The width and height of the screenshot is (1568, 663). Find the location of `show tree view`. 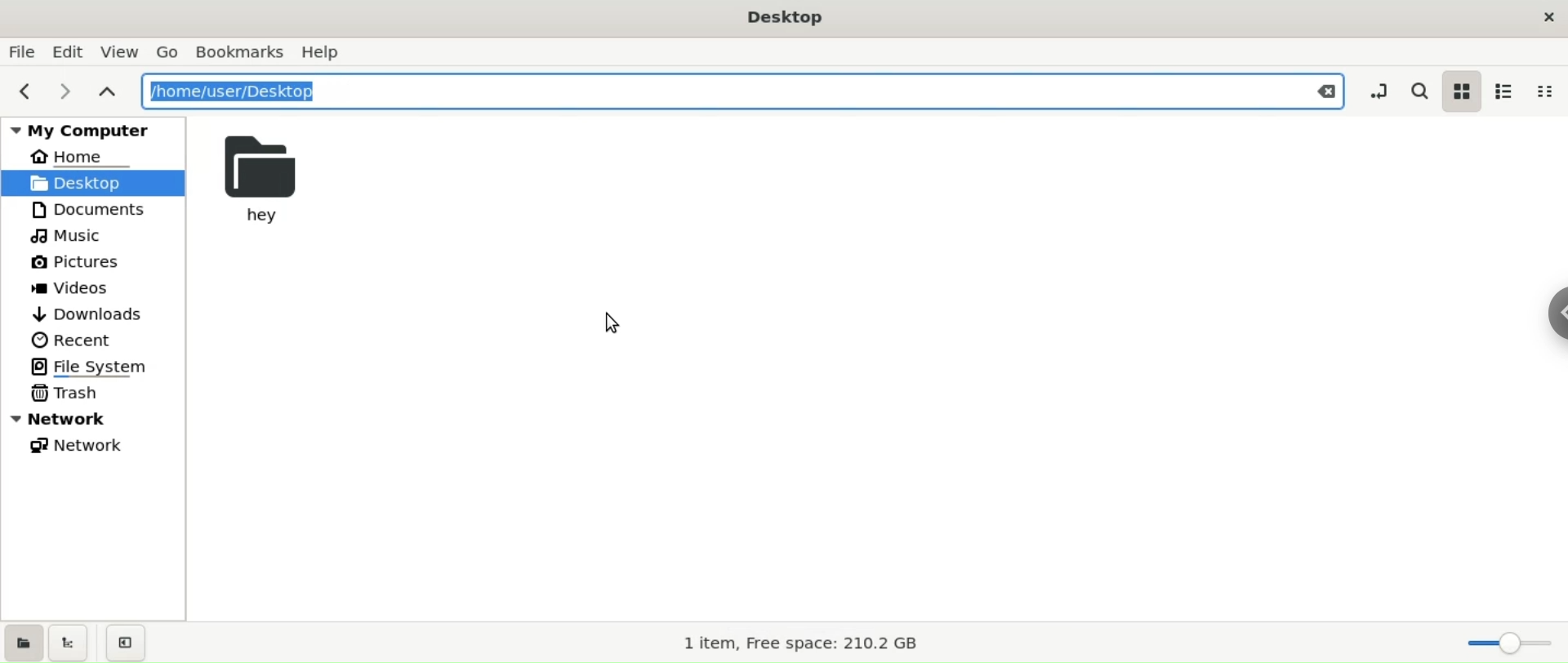

show tree view is located at coordinates (73, 644).